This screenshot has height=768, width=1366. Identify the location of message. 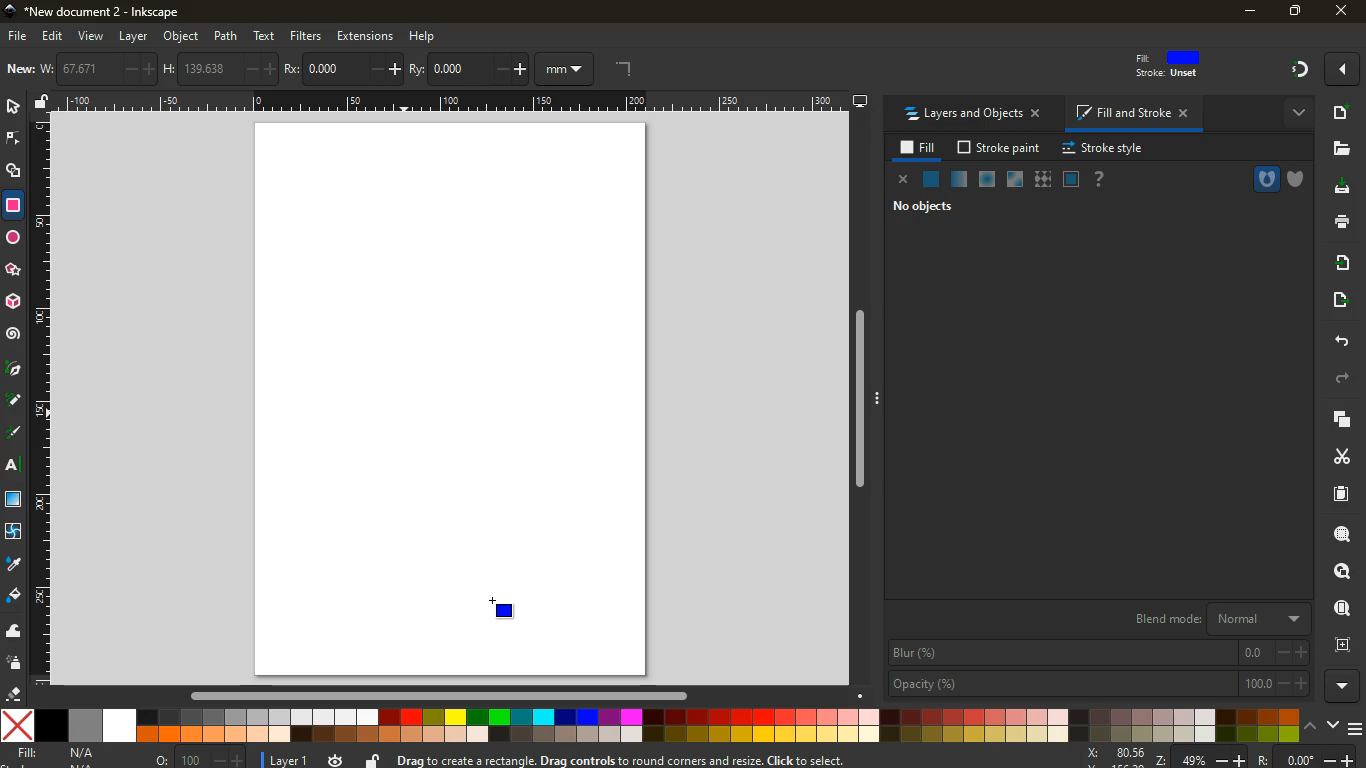
(708, 759).